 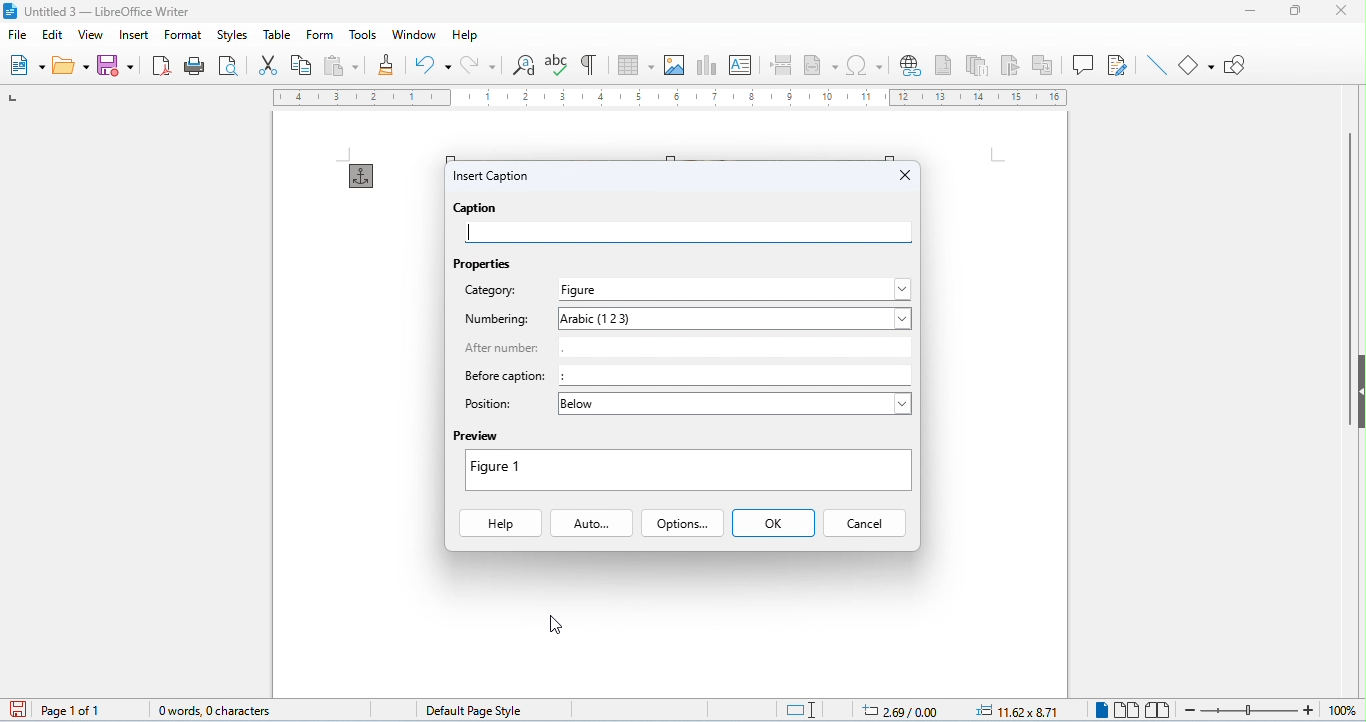 I want to click on default page, so click(x=472, y=709).